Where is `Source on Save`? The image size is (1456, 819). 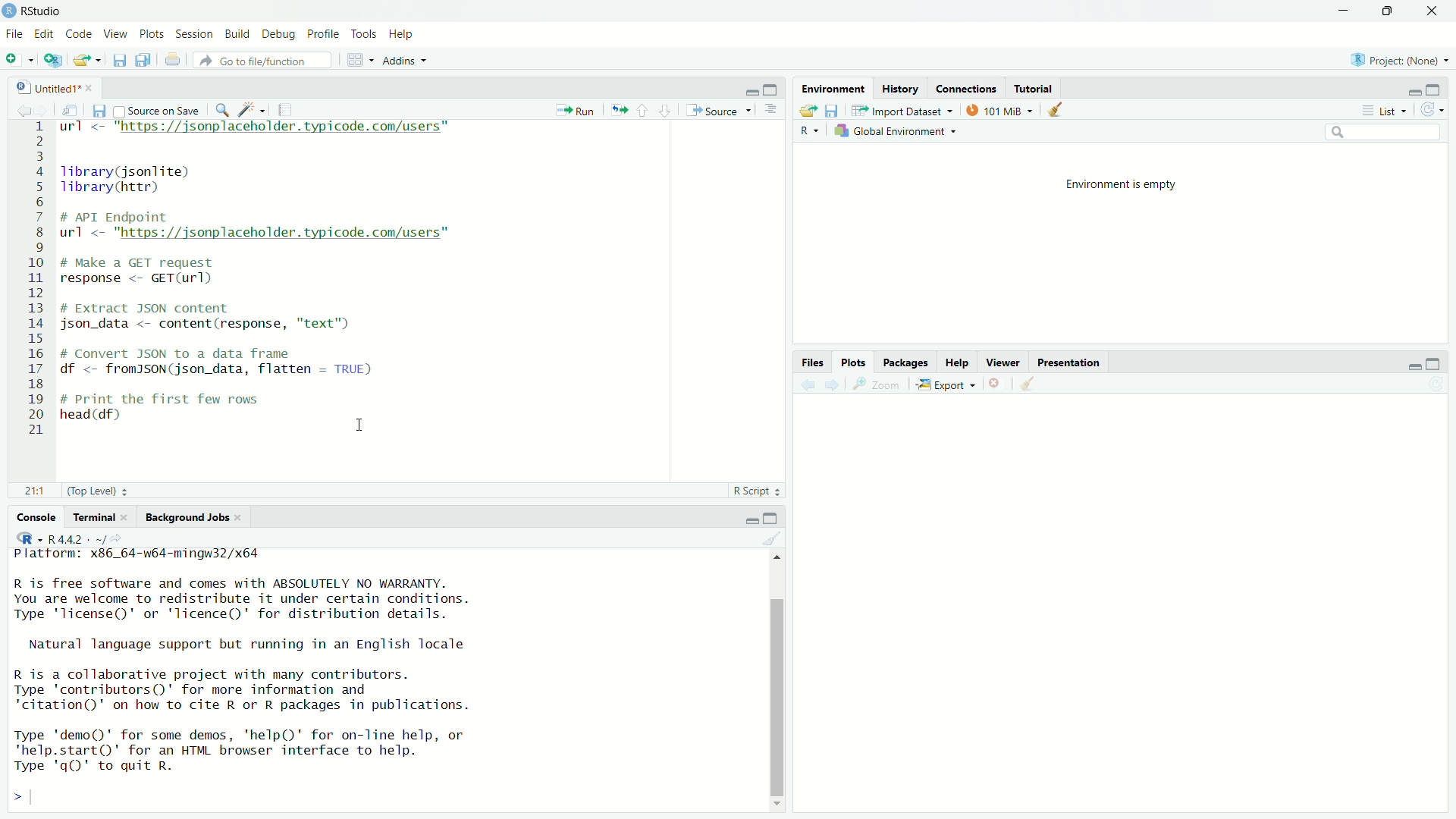 Source on Save is located at coordinates (157, 111).